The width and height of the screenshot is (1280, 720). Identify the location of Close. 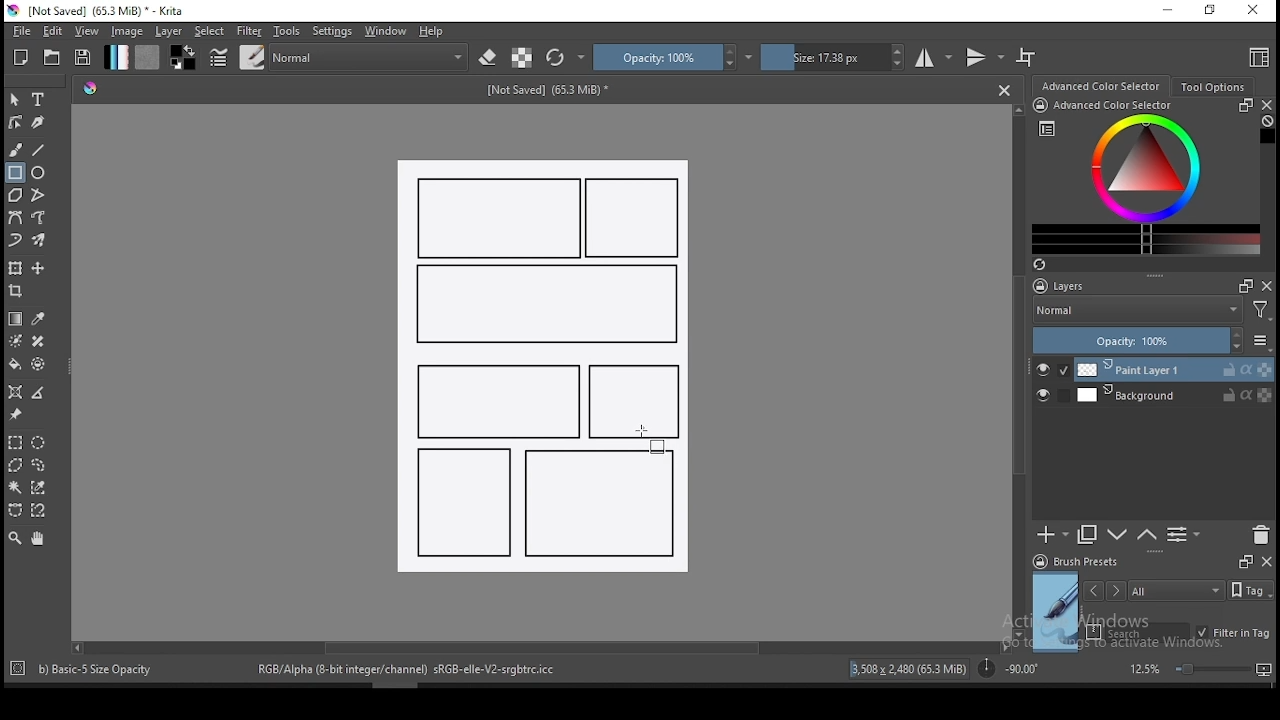
(1004, 89).